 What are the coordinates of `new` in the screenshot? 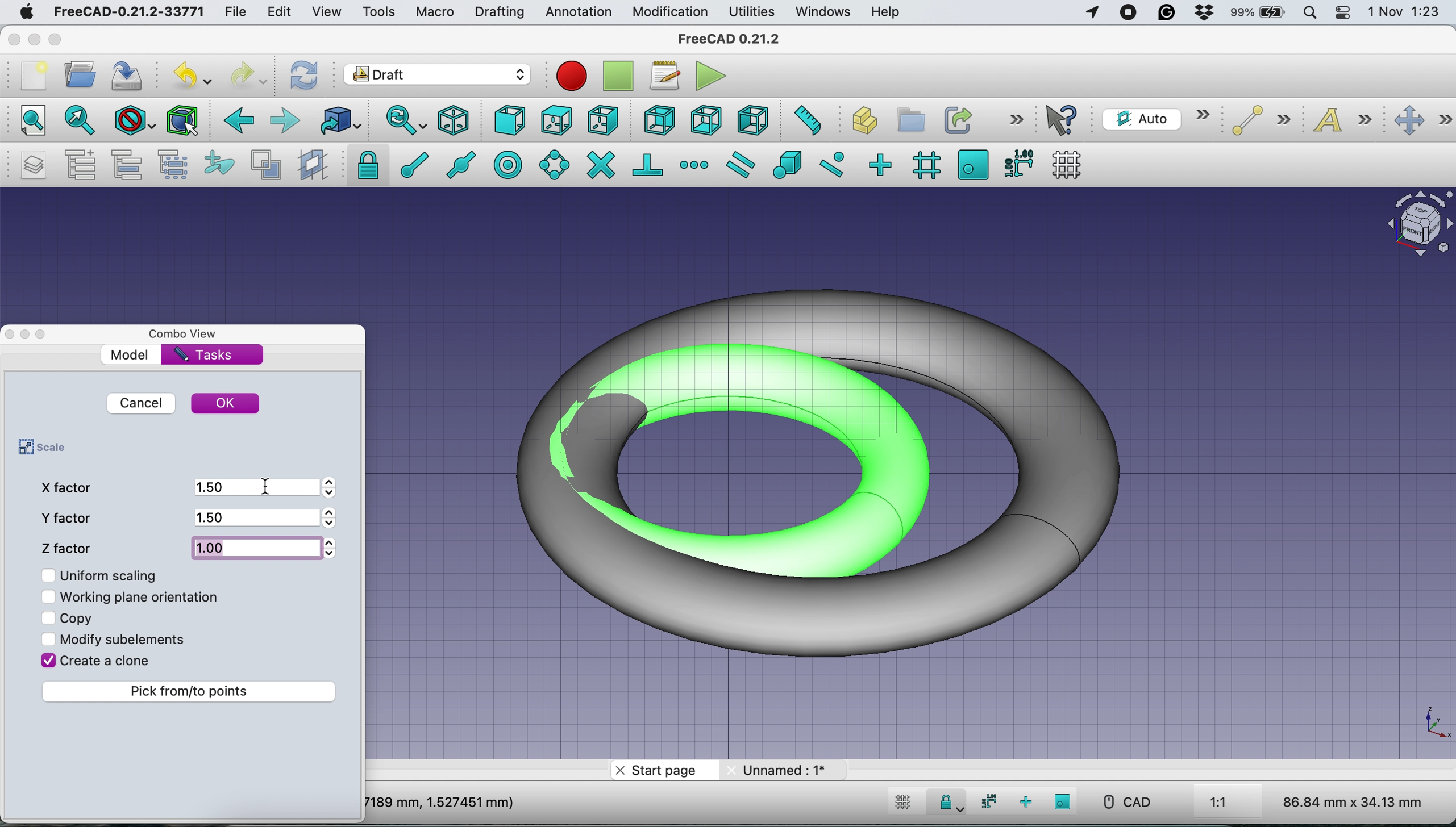 It's located at (32, 76).